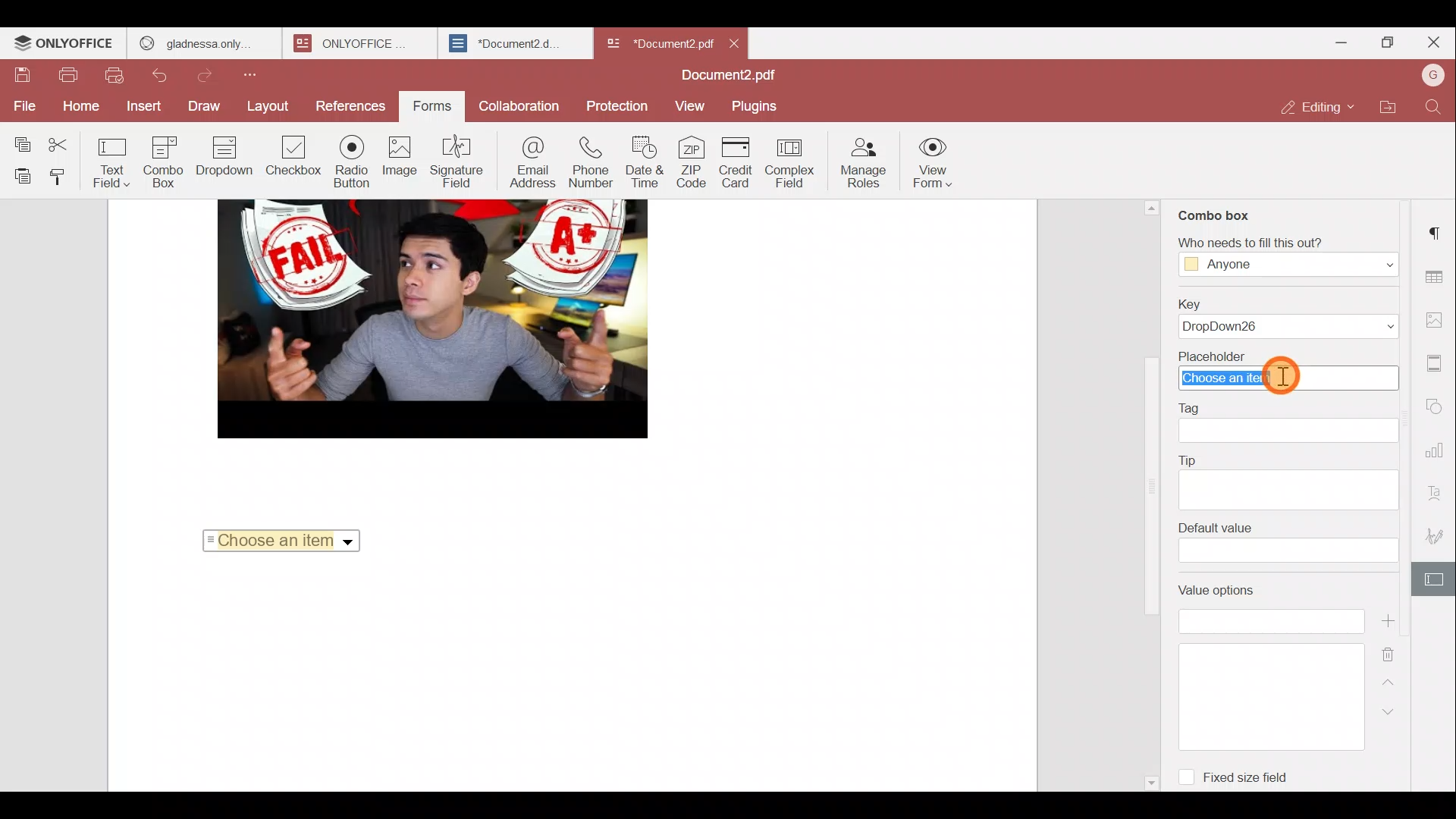 Image resolution: width=1456 pixels, height=819 pixels. What do you see at coordinates (505, 41) in the screenshot?
I see `*Document2.d.` at bounding box center [505, 41].